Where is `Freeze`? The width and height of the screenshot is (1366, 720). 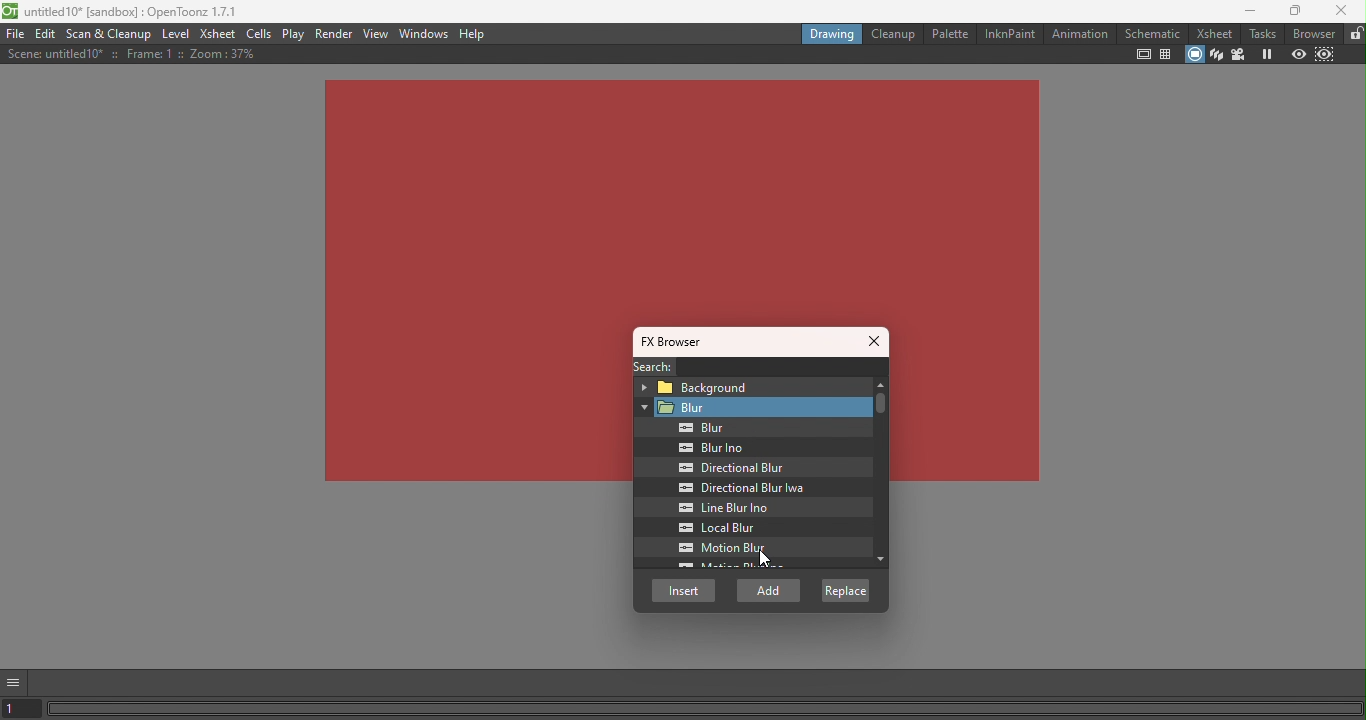 Freeze is located at coordinates (1267, 53).